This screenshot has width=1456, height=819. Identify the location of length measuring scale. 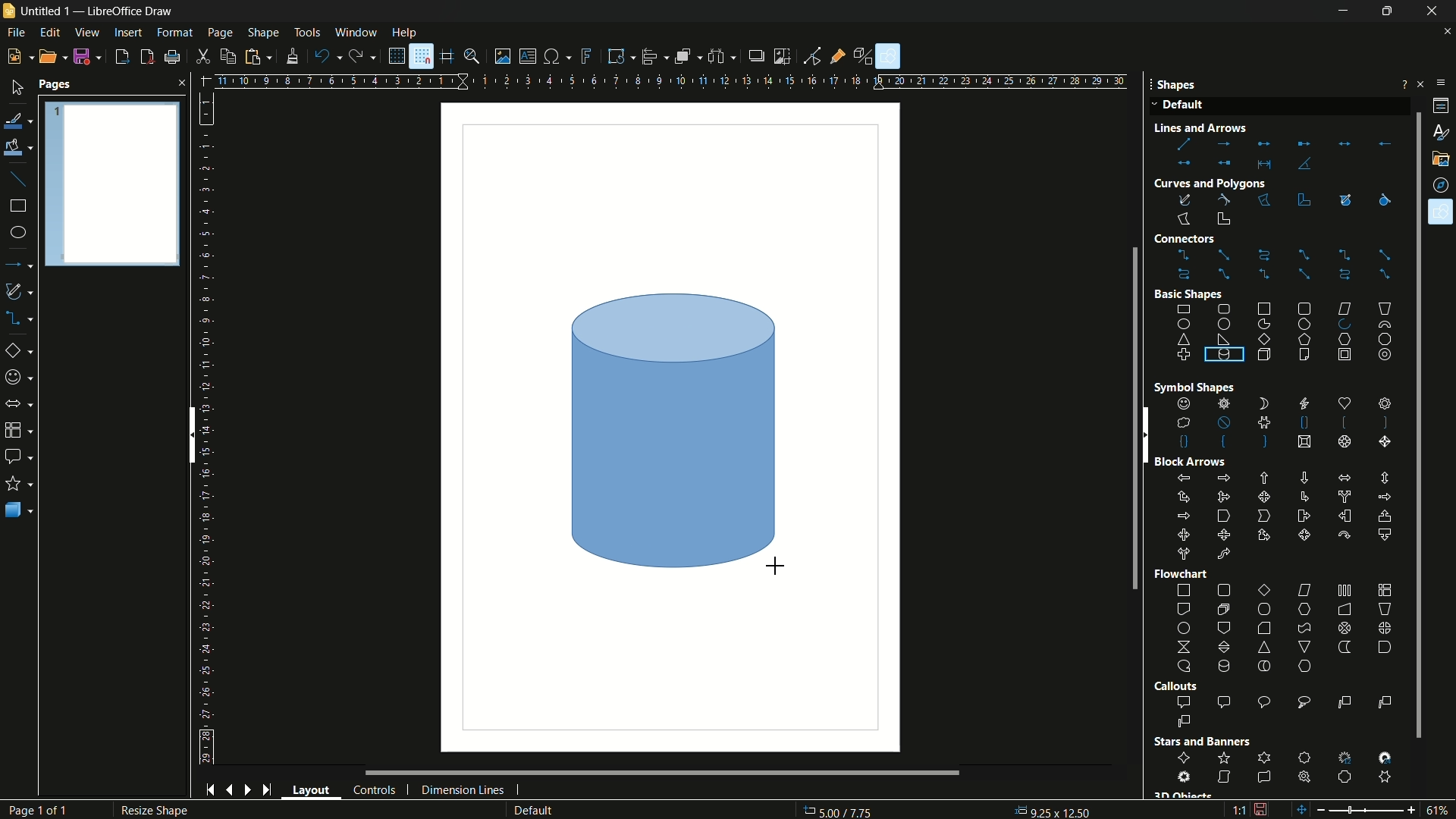
(210, 428).